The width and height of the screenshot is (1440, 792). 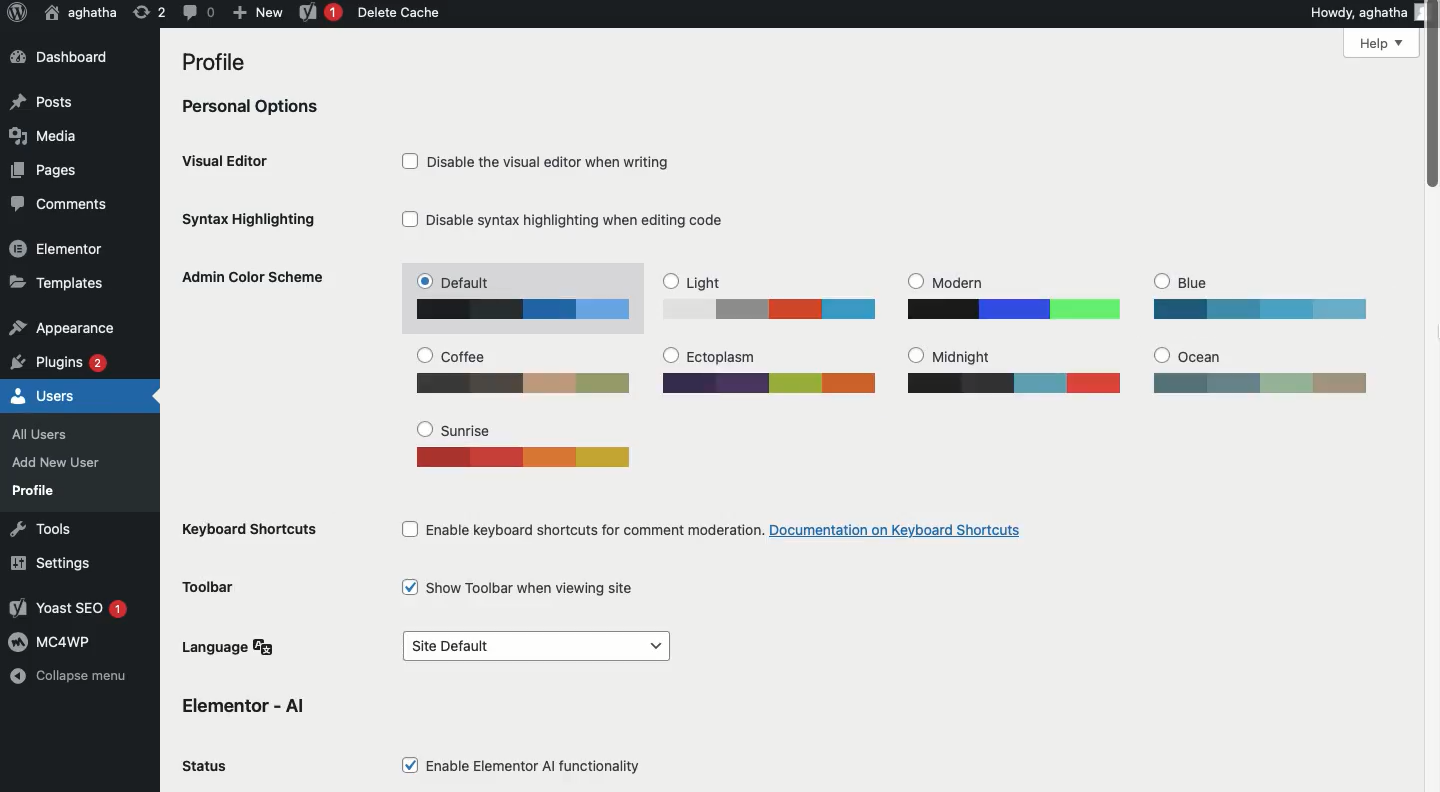 I want to click on Status, so click(x=197, y=768).